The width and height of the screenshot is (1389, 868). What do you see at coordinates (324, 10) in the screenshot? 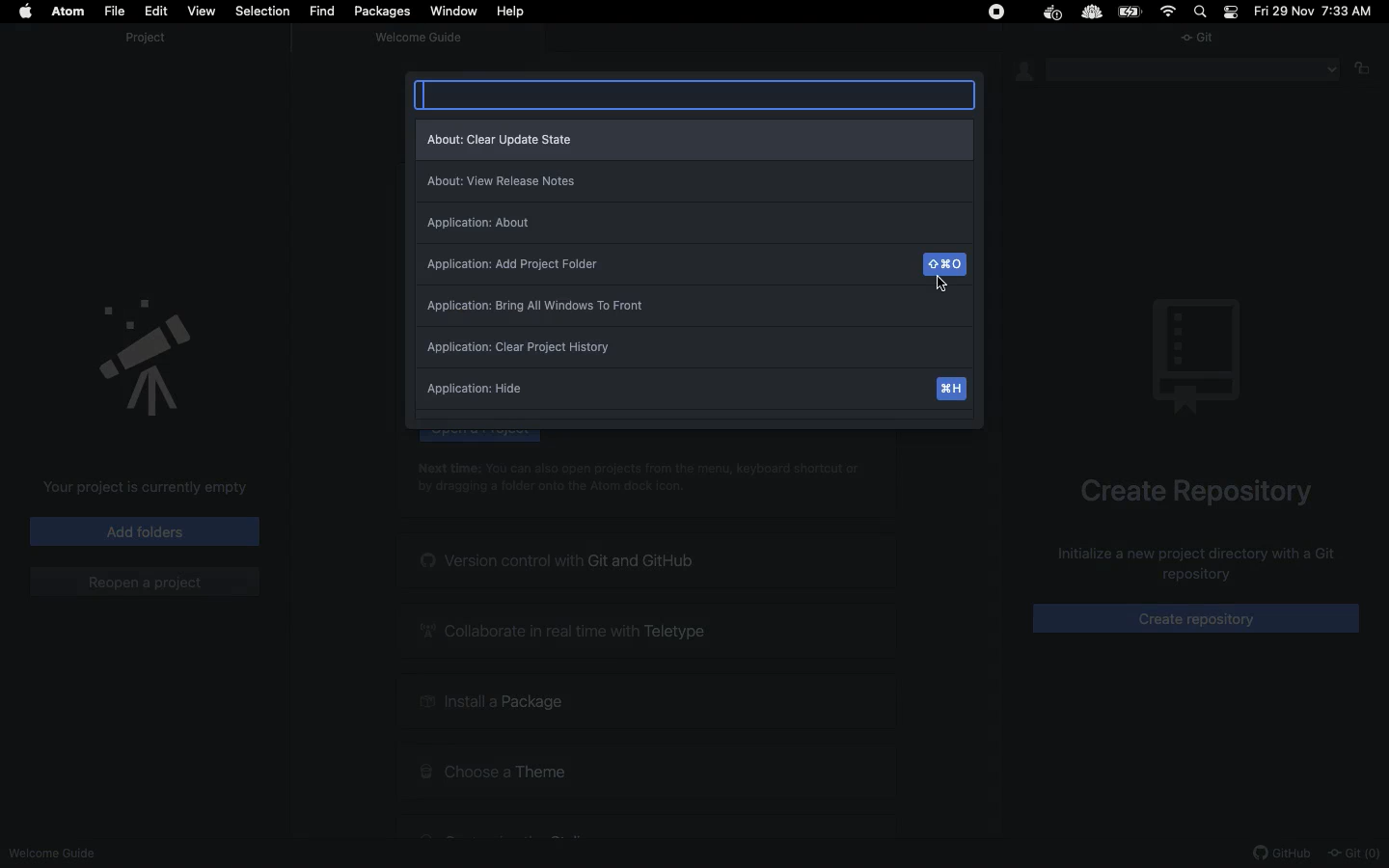
I see `Find` at bounding box center [324, 10].